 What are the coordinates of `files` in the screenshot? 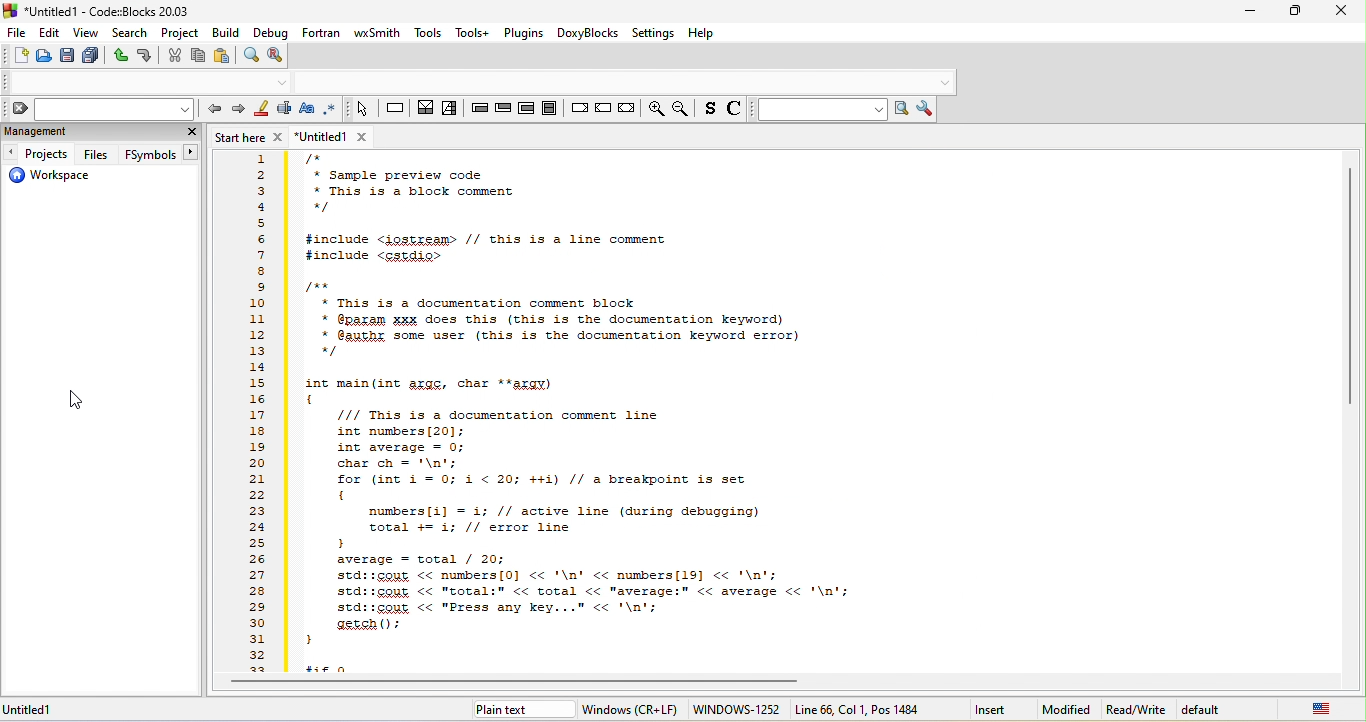 It's located at (97, 153).